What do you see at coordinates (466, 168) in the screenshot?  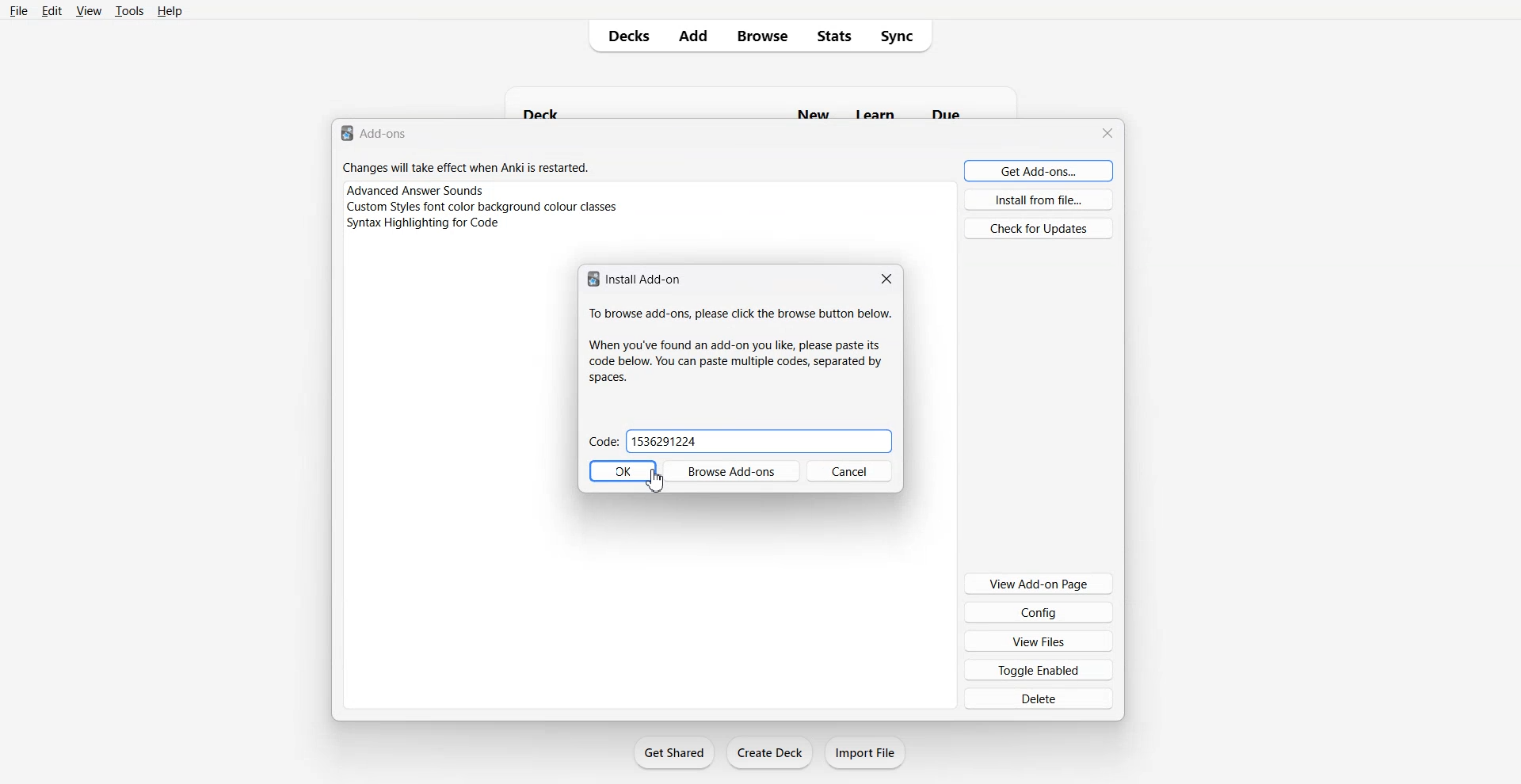 I see `Changes will take effect when anki is restarted` at bounding box center [466, 168].